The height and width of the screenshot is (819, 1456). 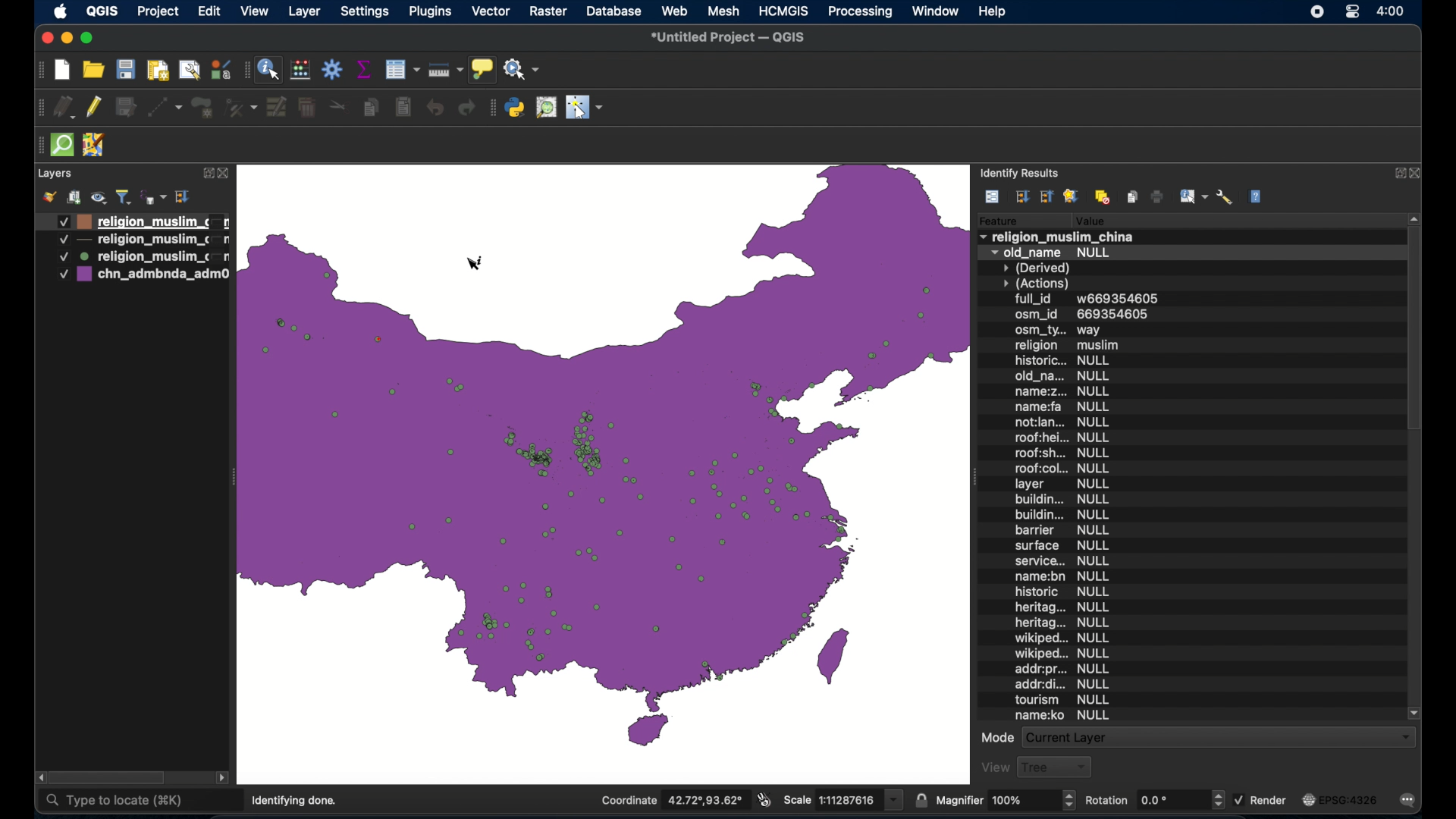 I want to click on tourism, so click(x=1060, y=701).